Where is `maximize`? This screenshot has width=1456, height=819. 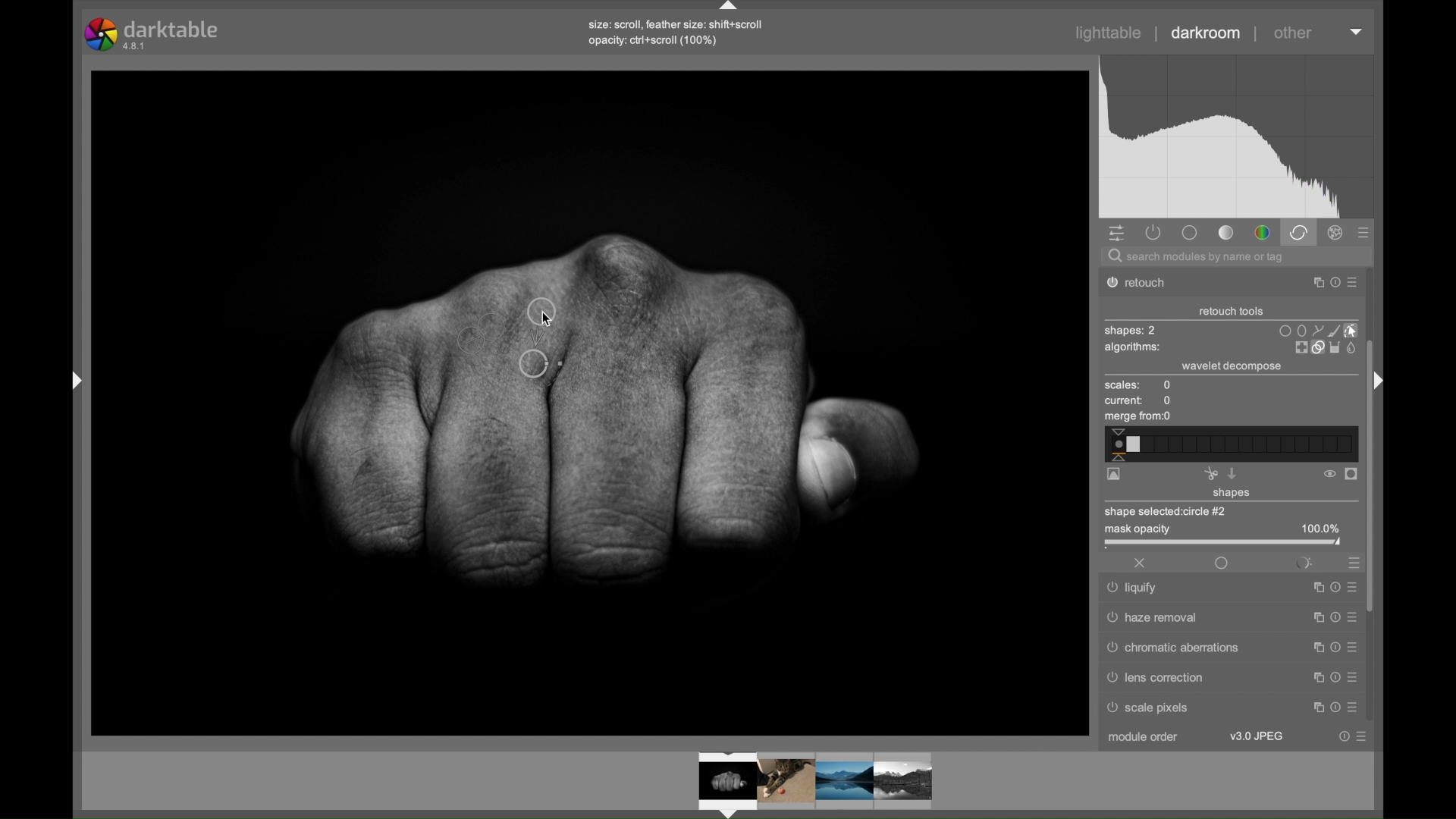
maximize is located at coordinates (1314, 676).